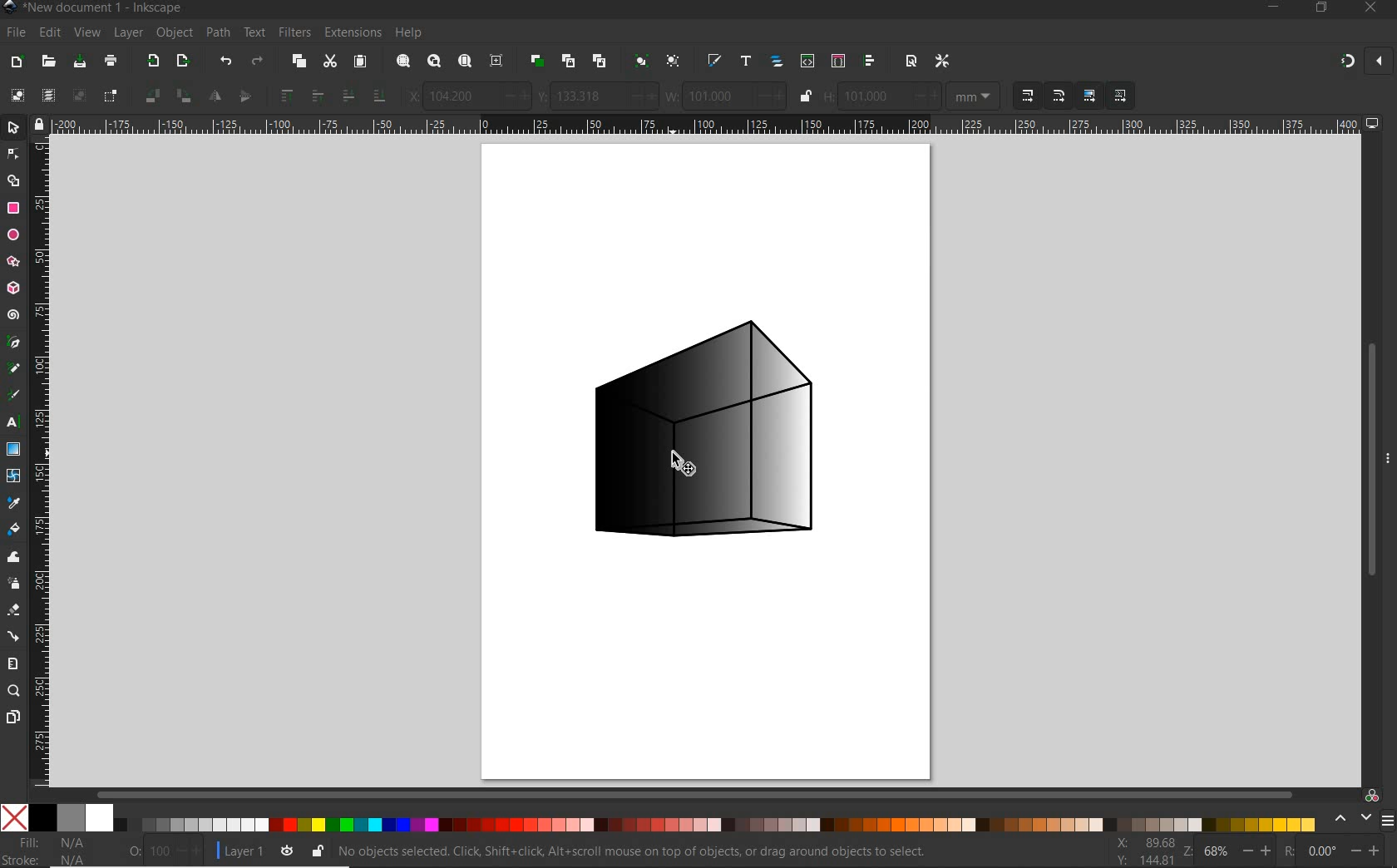 This screenshot has height=868, width=1397. I want to click on GROUP, so click(640, 60).